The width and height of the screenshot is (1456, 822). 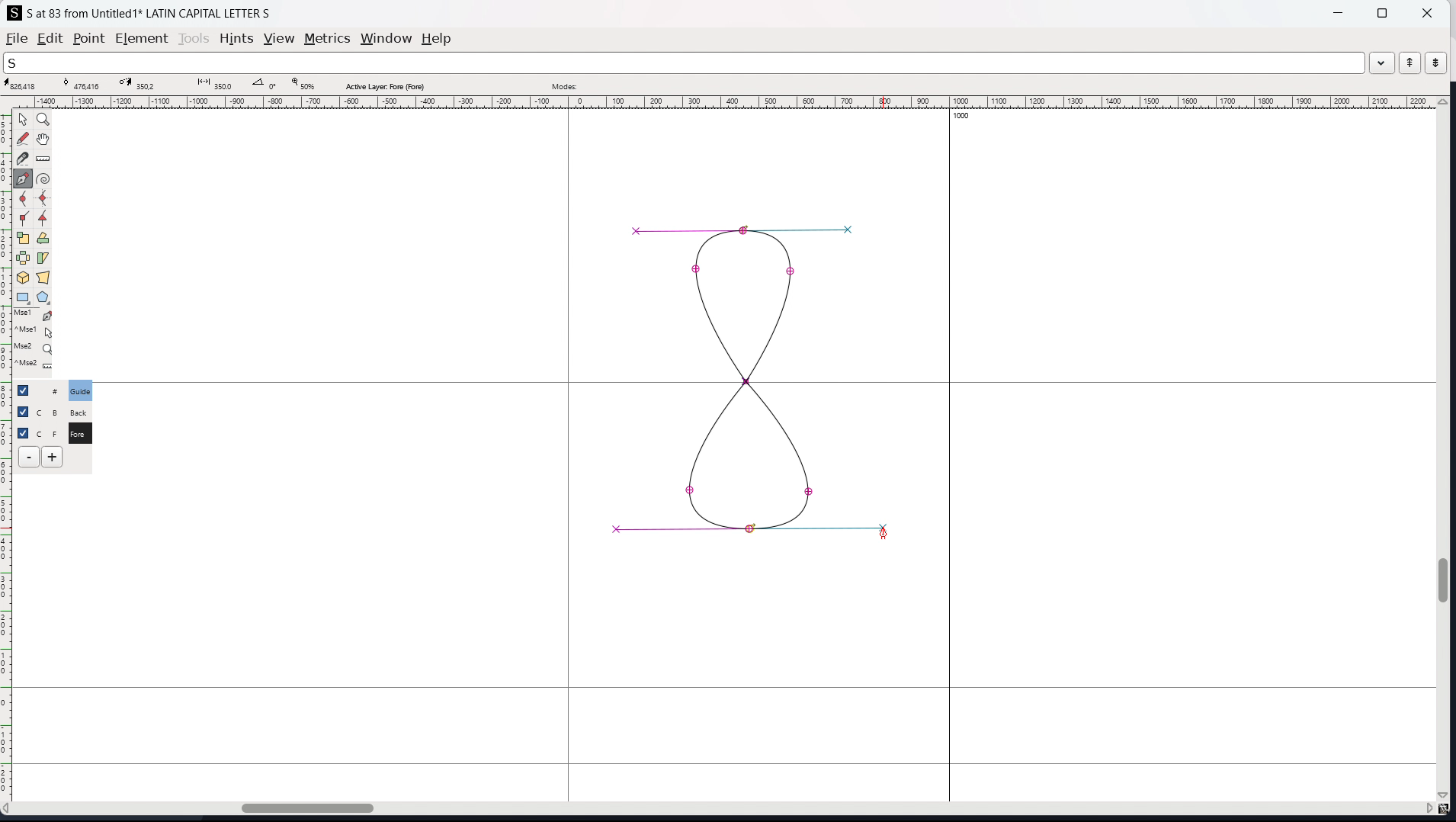 I want to click on cursor coordinate, so click(x=25, y=85).